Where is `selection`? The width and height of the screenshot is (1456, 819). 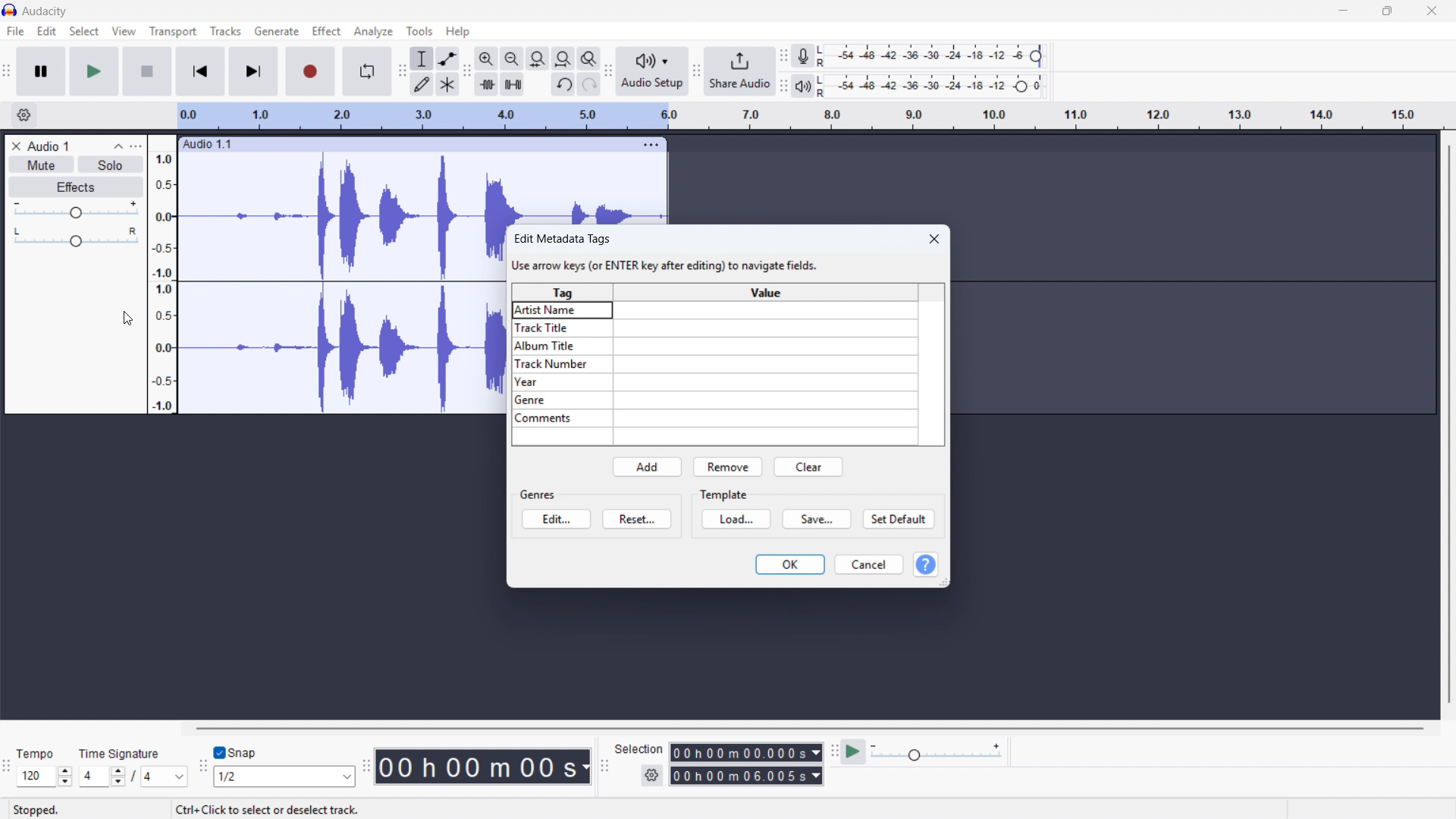
selection is located at coordinates (639, 748).